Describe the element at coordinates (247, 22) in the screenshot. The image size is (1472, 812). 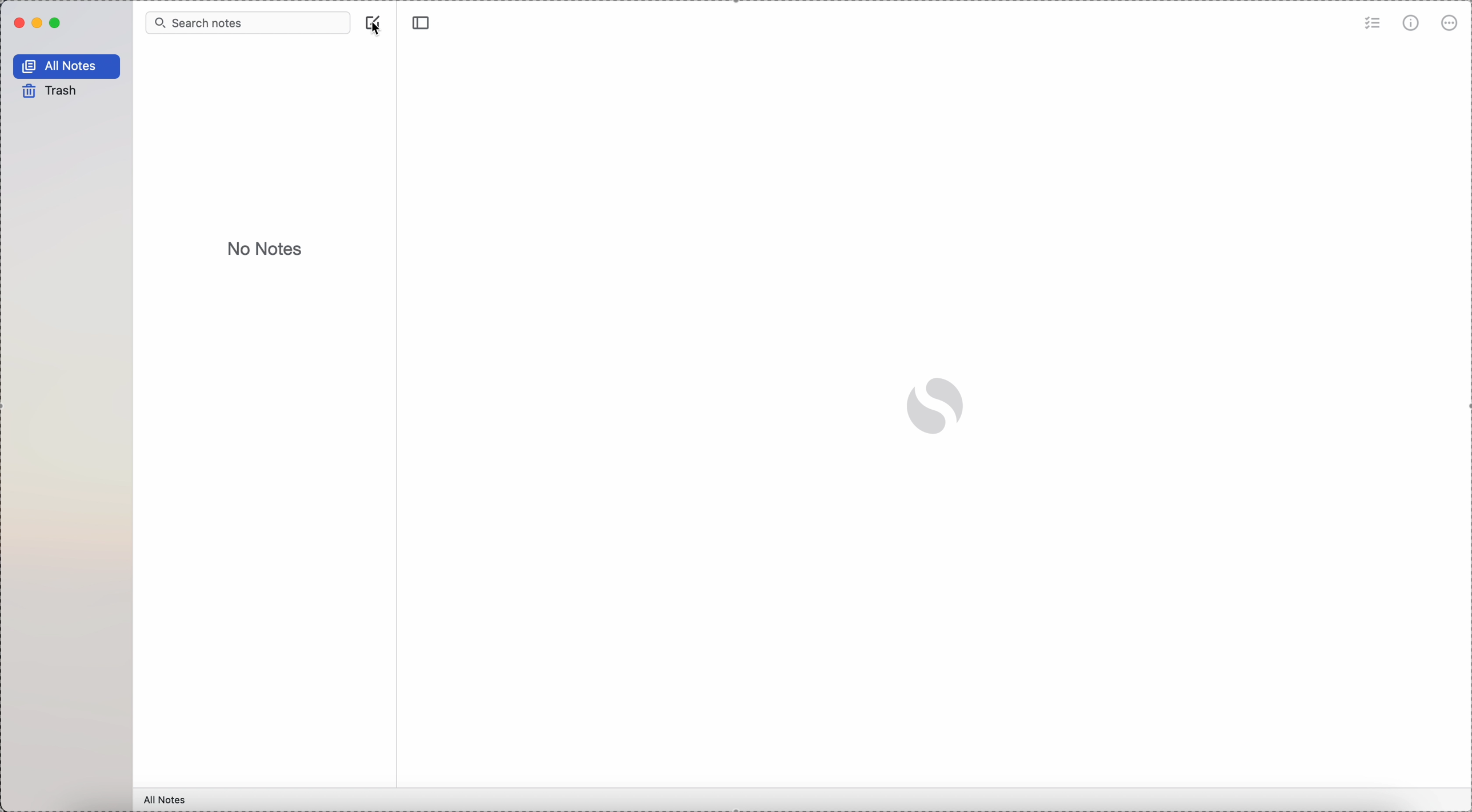
I see `search bar` at that location.